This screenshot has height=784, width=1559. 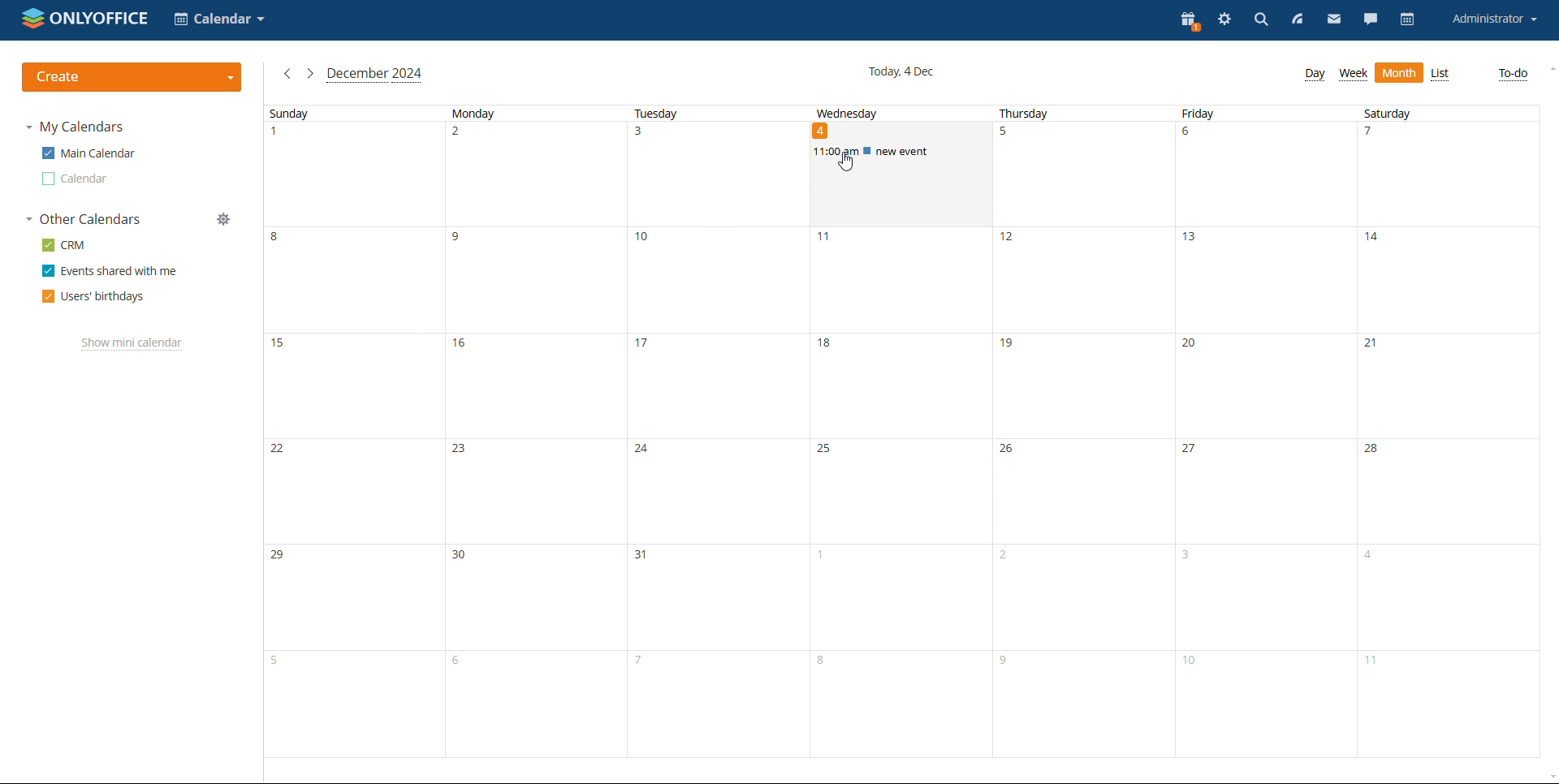 What do you see at coordinates (714, 432) in the screenshot?
I see `tuesday` at bounding box center [714, 432].